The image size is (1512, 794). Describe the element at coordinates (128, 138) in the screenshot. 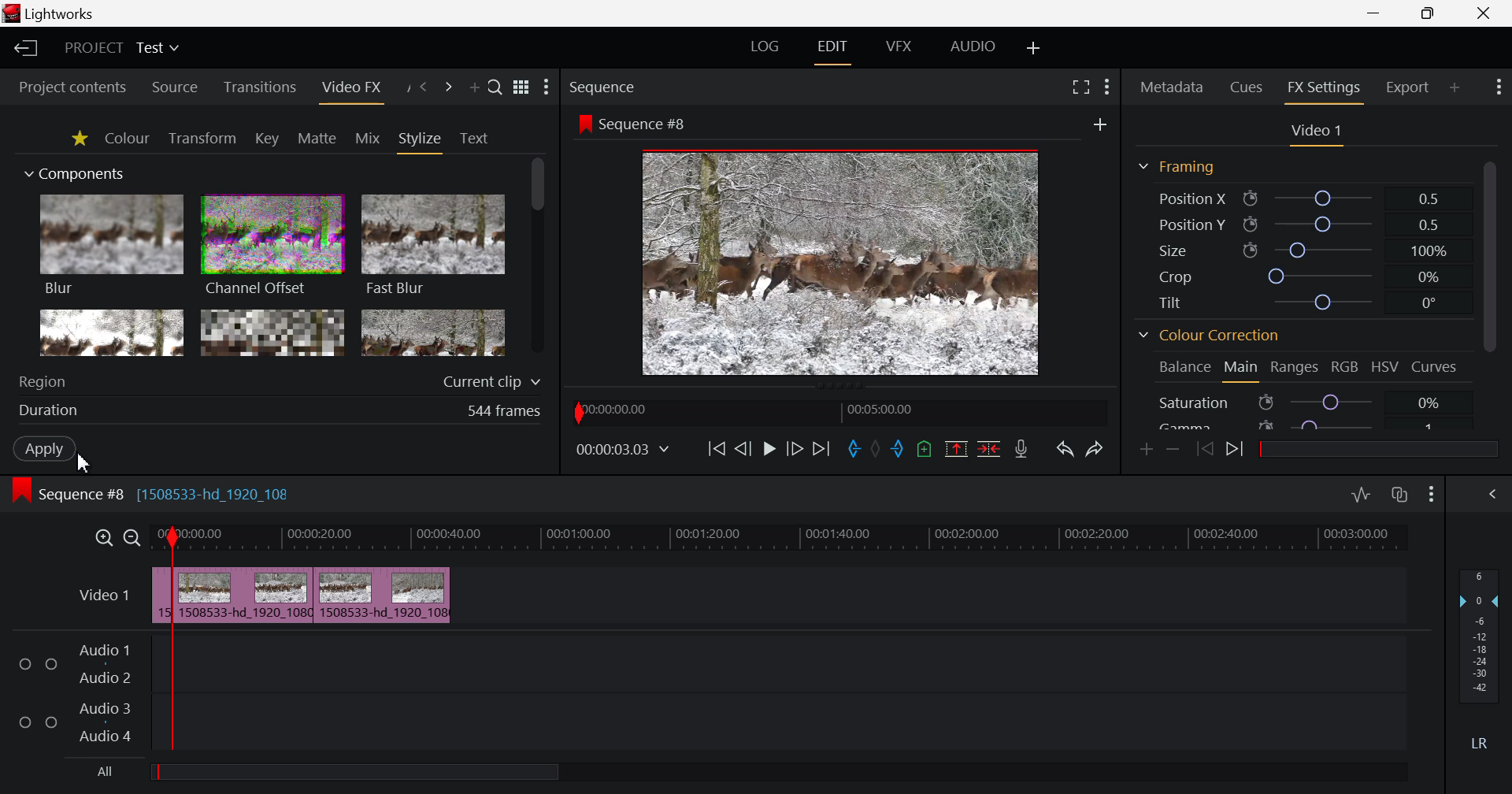

I see `Colour` at that location.